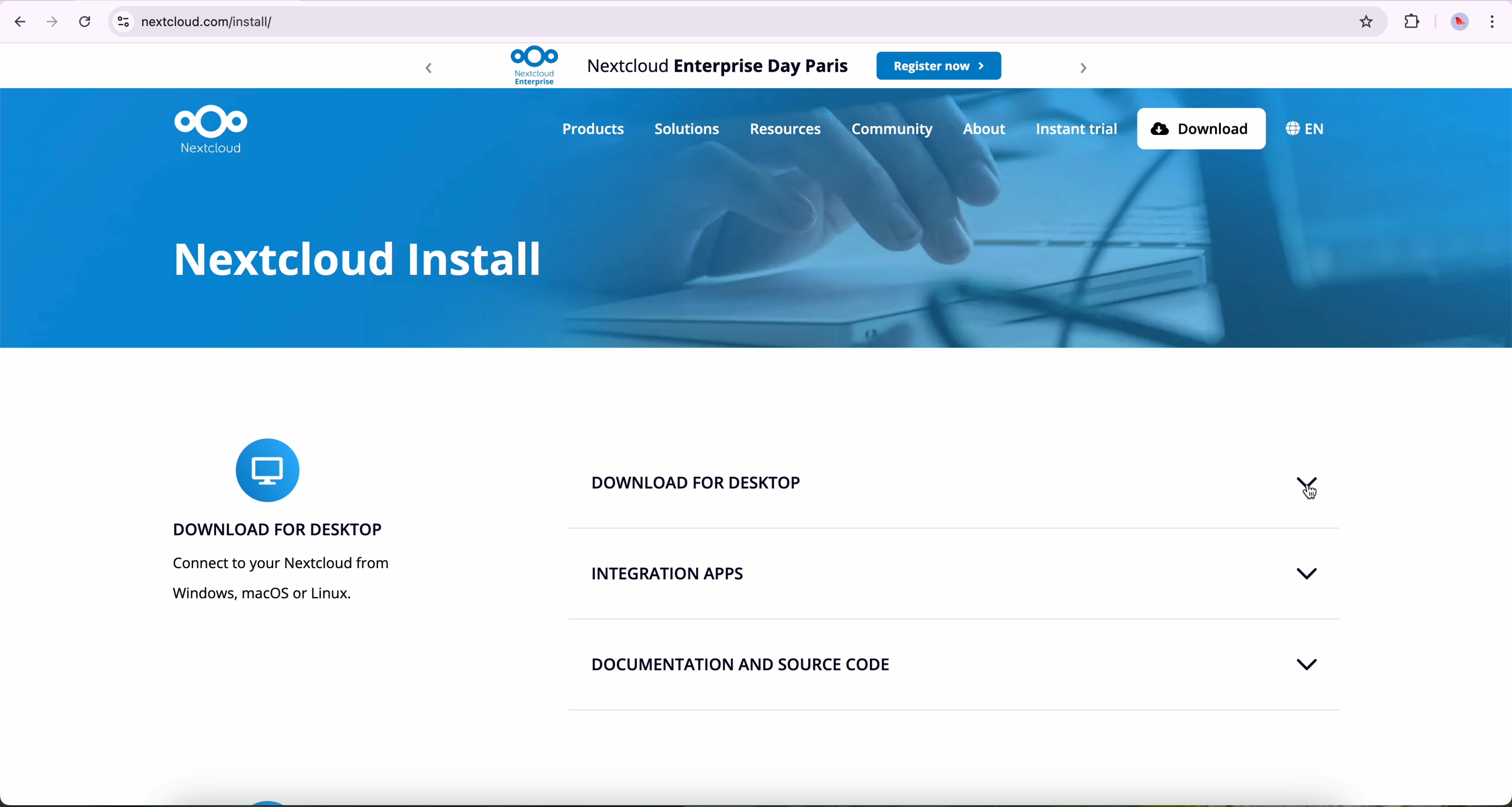 The image size is (1512, 807). Describe the element at coordinates (534, 66) in the screenshot. I see `Nextcloud logo` at that location.